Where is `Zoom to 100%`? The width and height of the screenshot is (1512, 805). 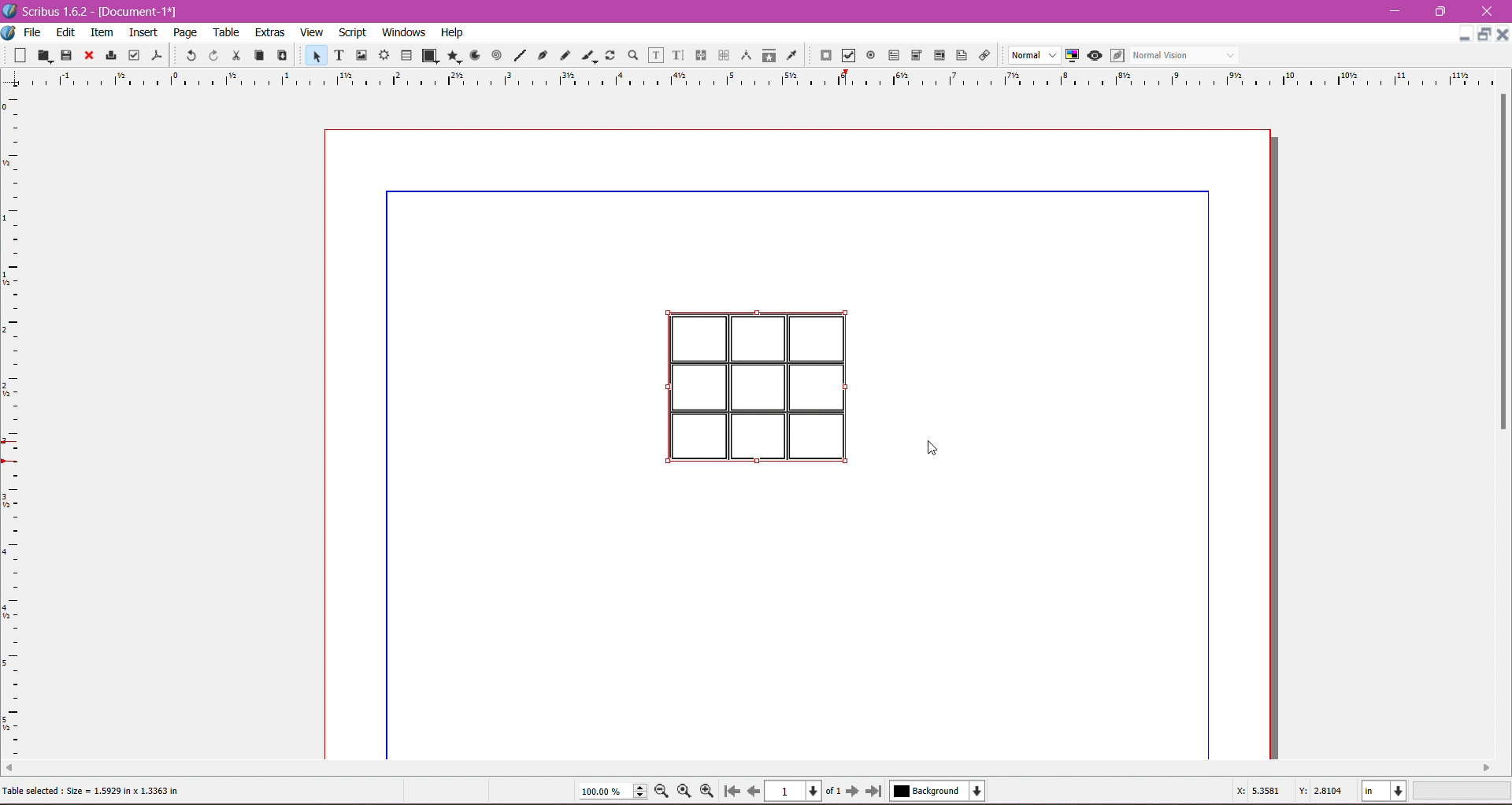 Zoom to 100% is located at coordinates (686, 792).